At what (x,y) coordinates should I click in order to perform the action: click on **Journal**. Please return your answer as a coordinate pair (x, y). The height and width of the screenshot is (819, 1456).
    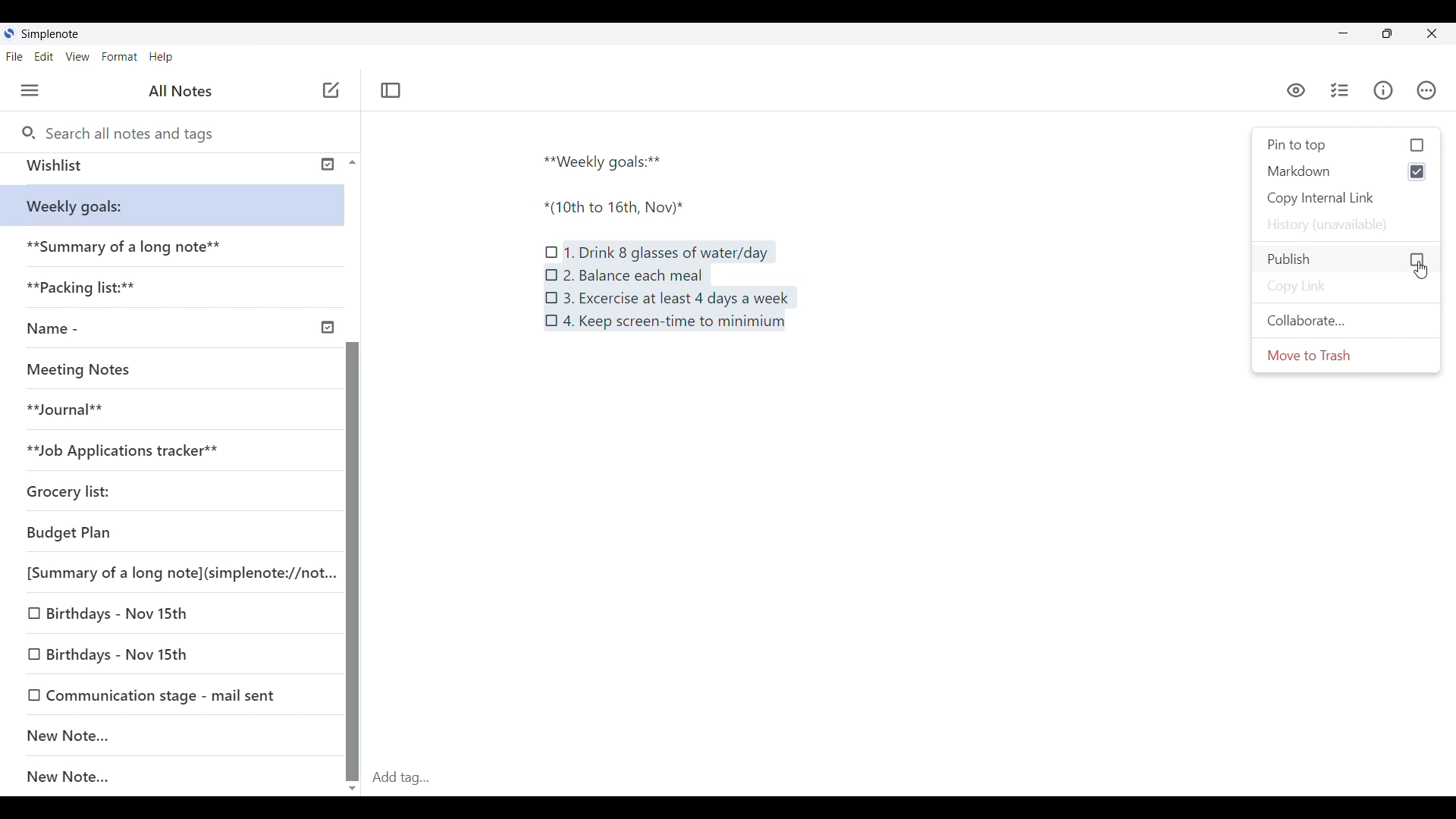
    Looking at the image, I should click on (73, 407).